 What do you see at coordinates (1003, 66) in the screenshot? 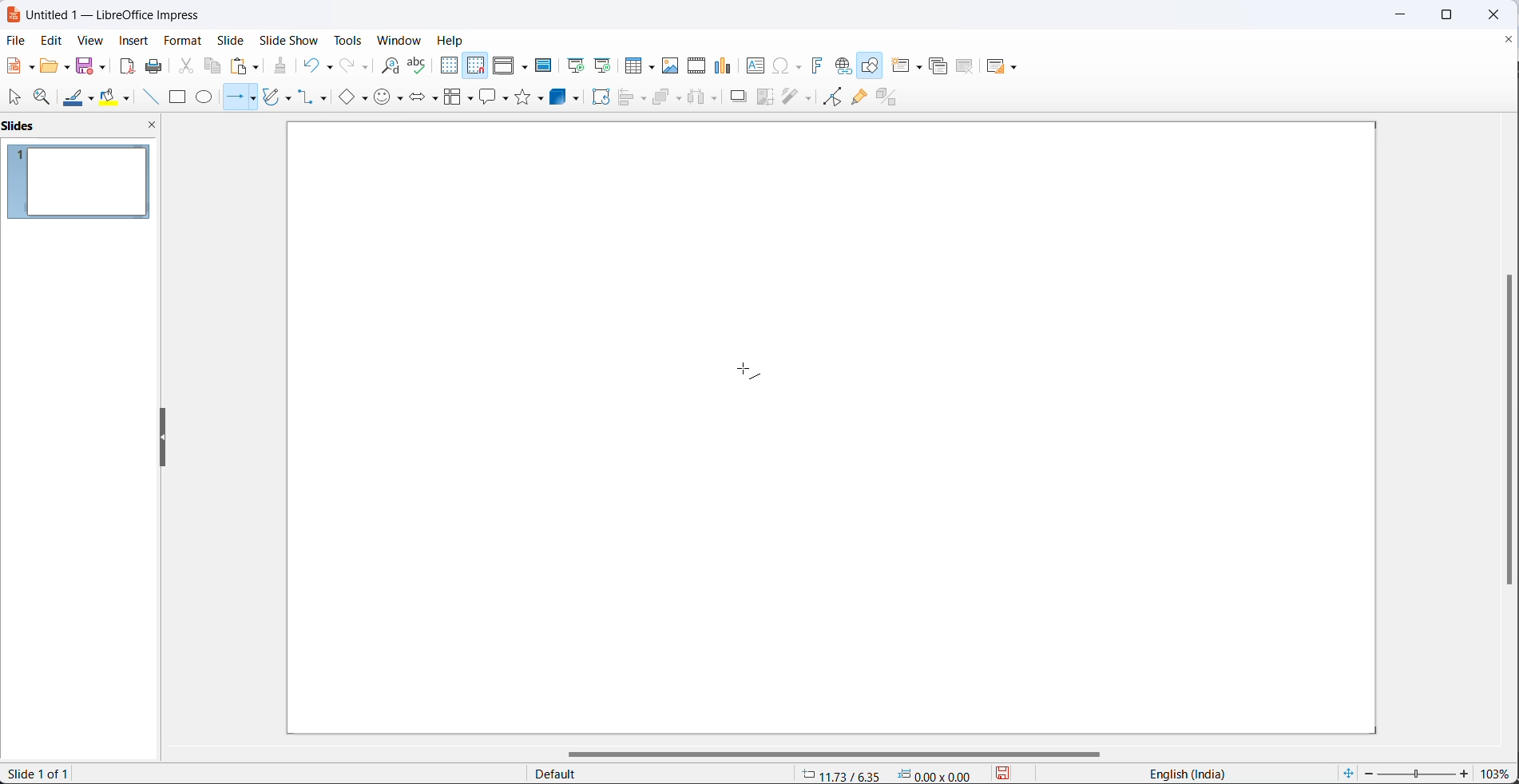
I see `slide layout` at bounding box center [1003, 66].